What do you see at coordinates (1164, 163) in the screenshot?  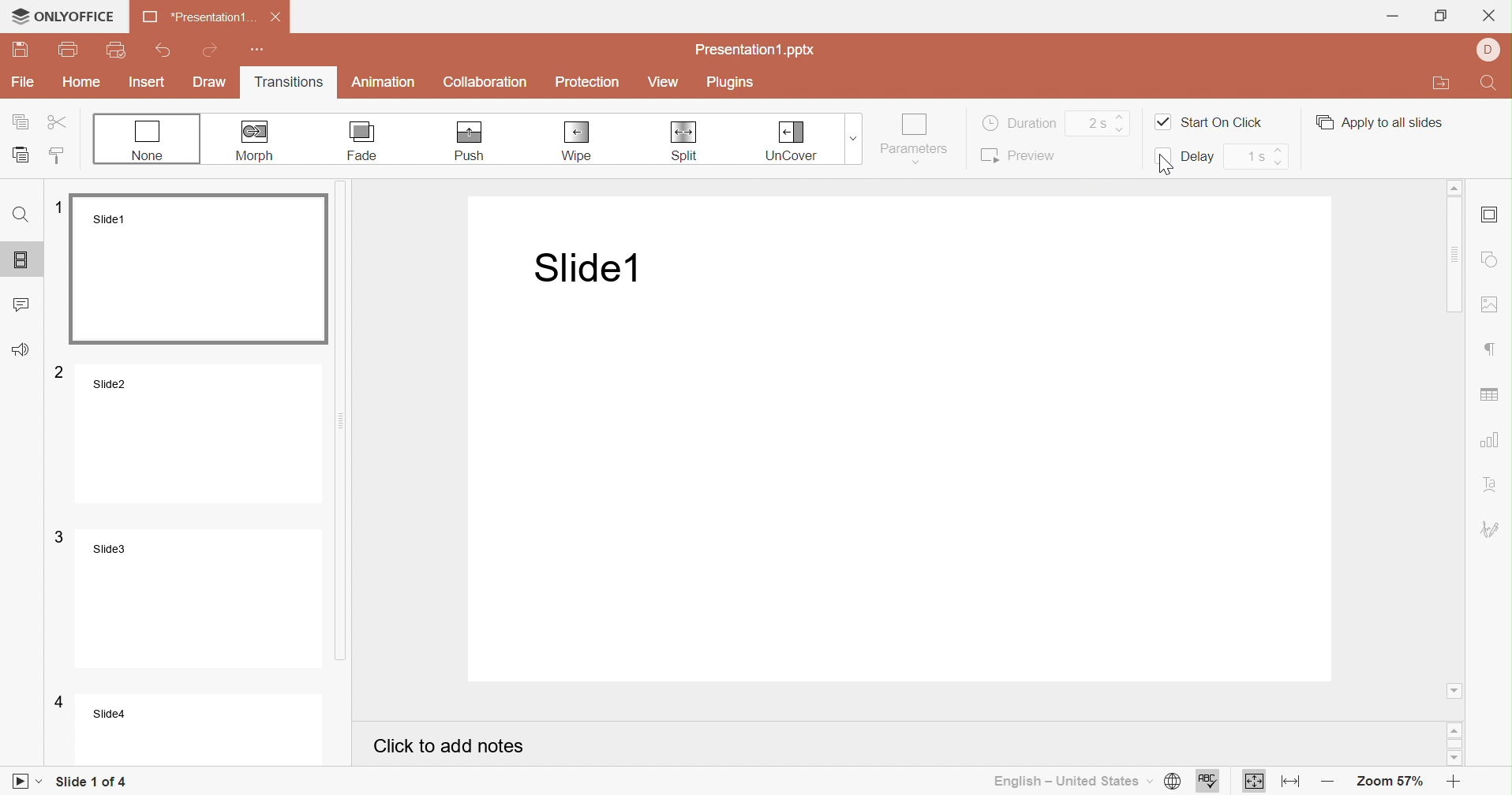 I see `Cursor on delay` at bounding box center [1164, 163].